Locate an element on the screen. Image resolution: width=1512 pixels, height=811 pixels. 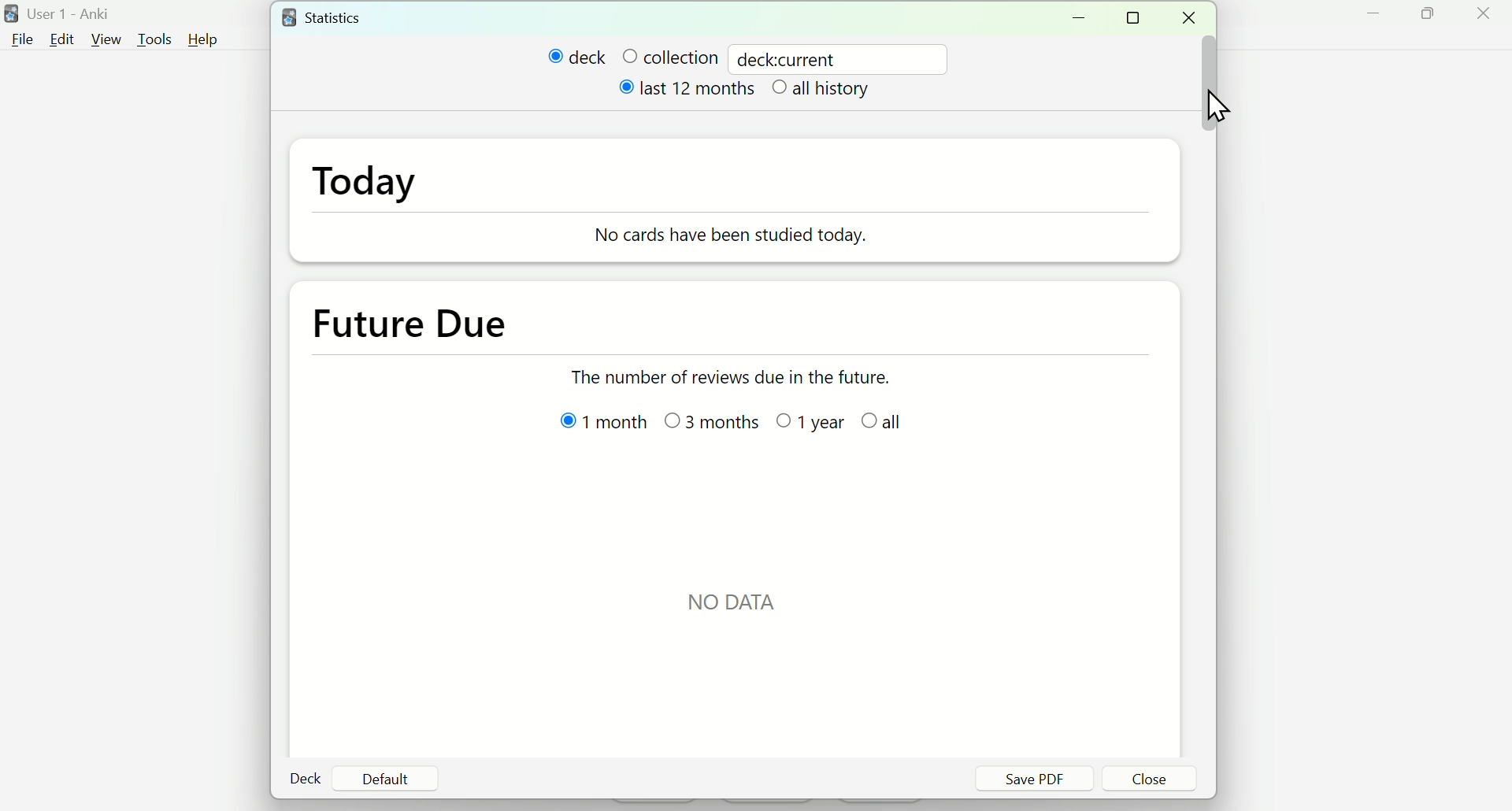
File is located at coordinates (24, 39).